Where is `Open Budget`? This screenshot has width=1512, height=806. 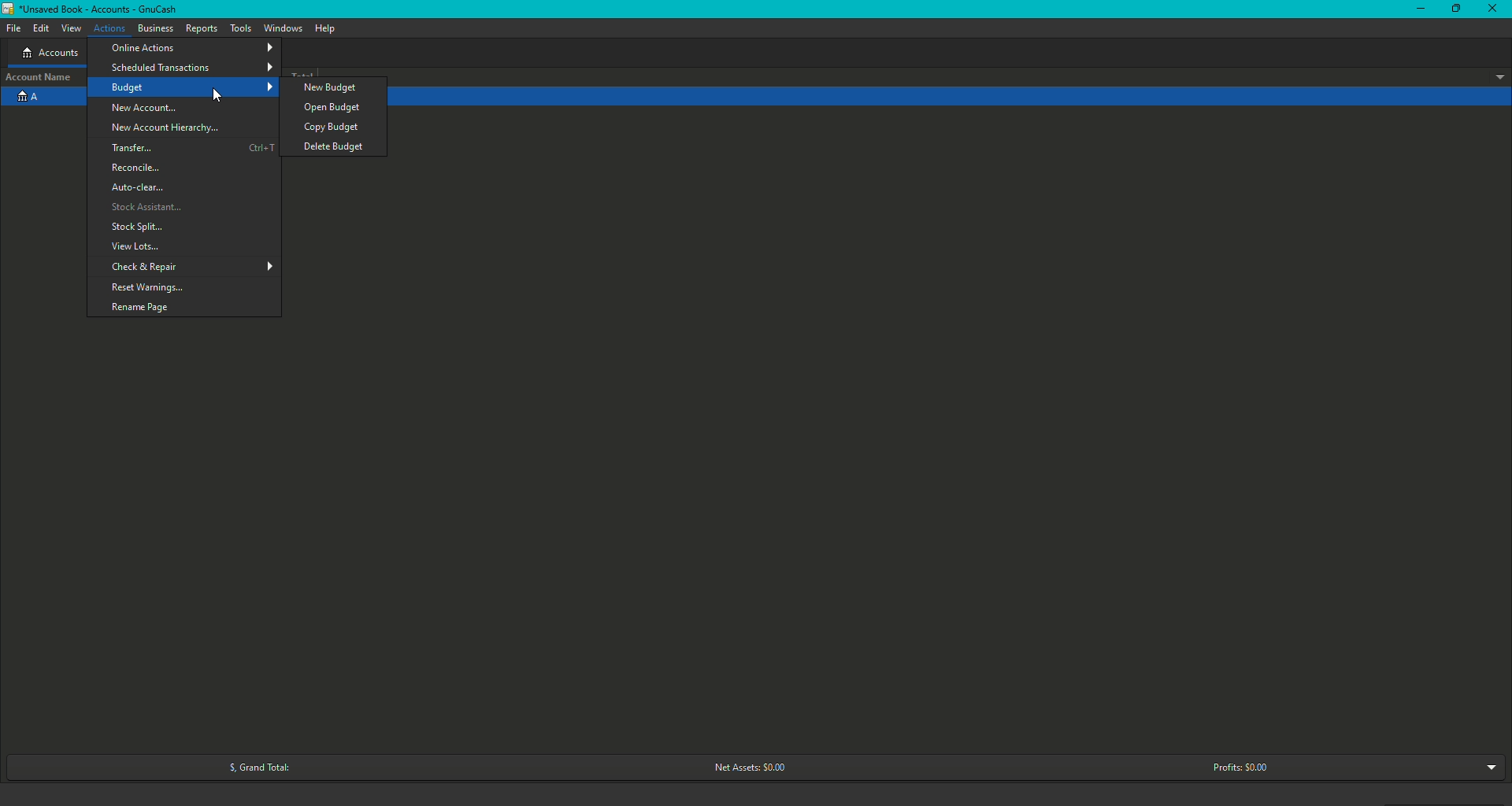
Open Budget is located at coordinates (331, 107).